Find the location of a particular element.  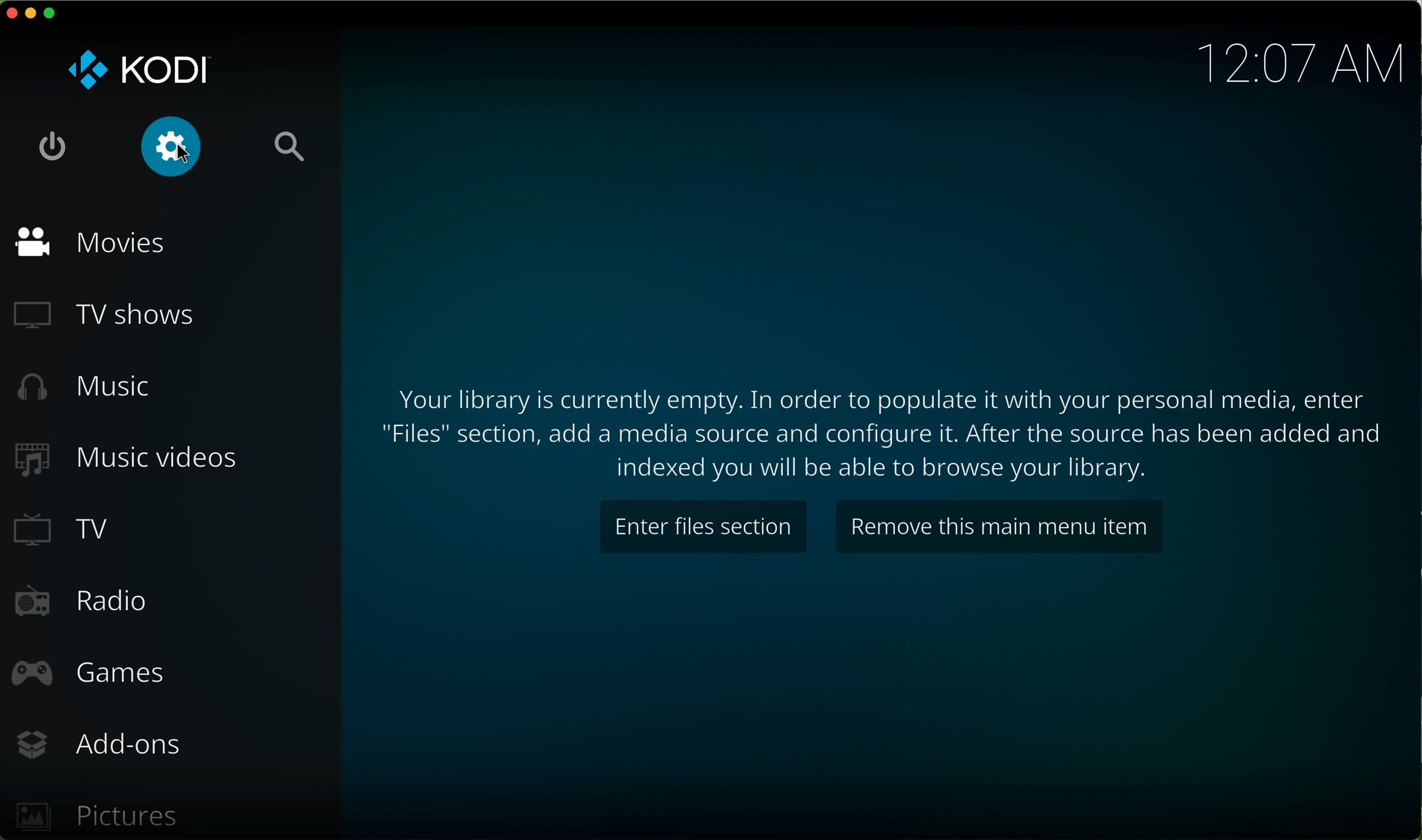

click on settings is located at coordinates (172, 148).